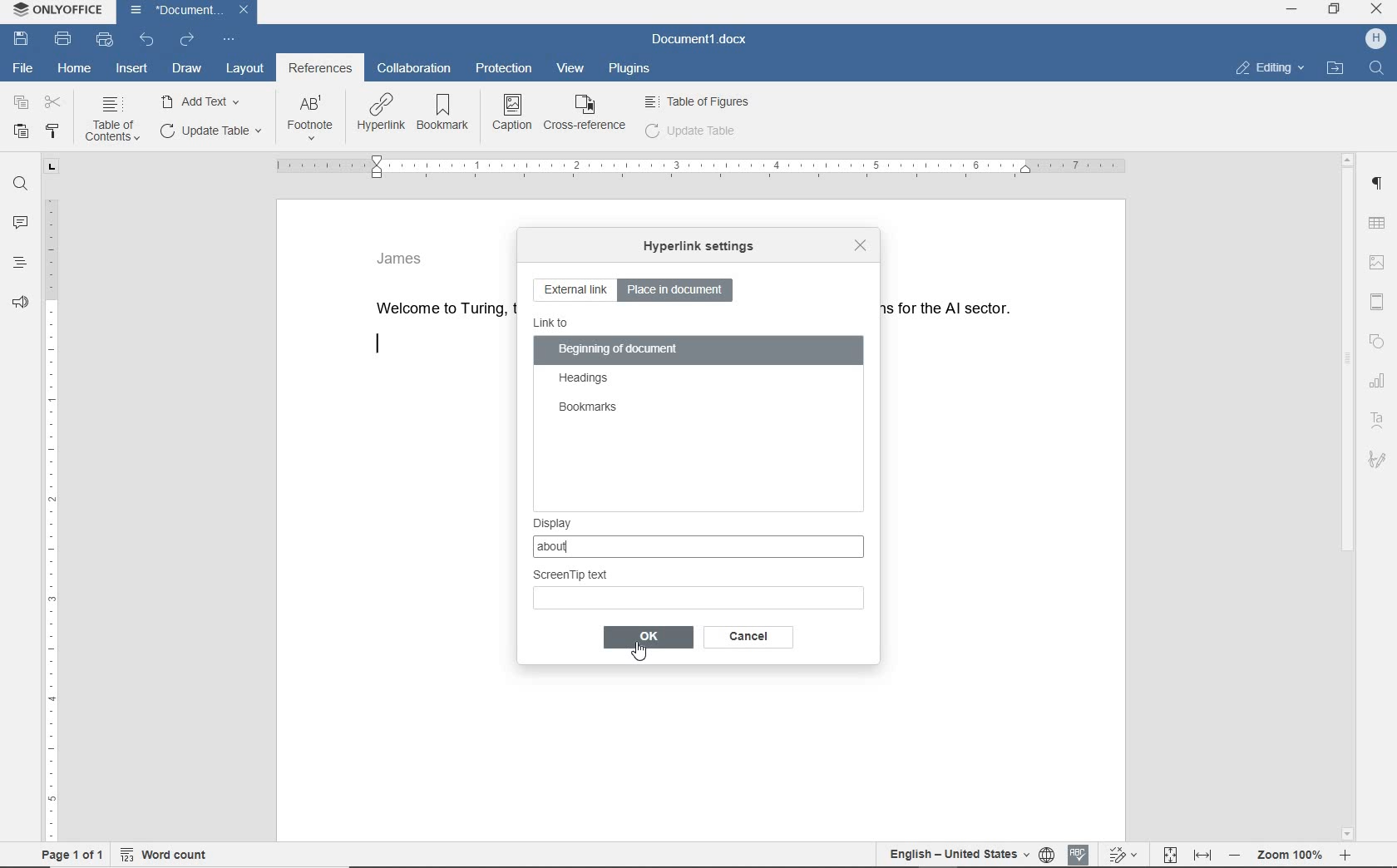  I want to click on beginning of document, so click(619, 351).